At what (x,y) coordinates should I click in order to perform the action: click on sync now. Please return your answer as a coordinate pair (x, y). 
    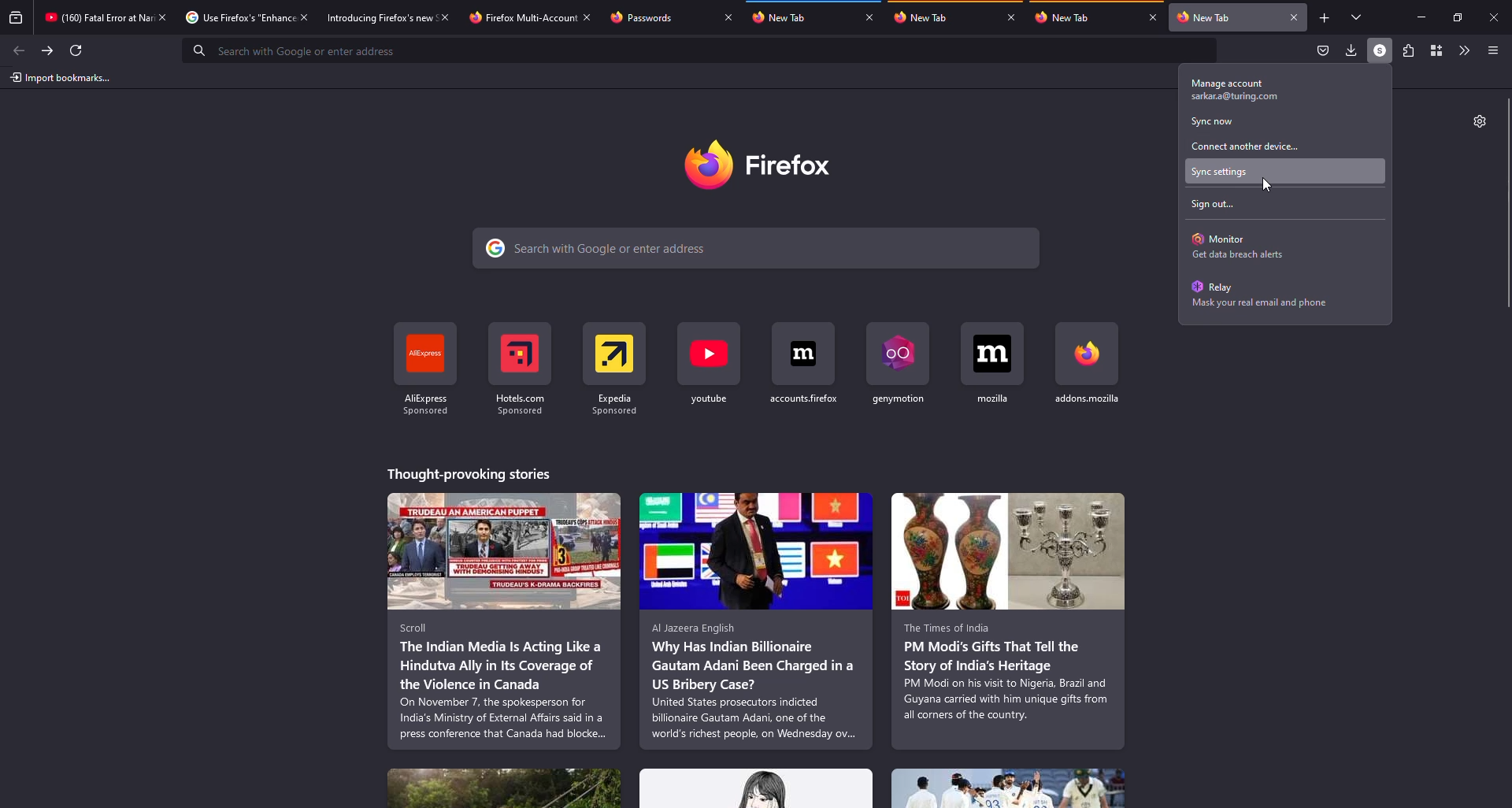
    Looking at the image, I should click on (1287, 121).